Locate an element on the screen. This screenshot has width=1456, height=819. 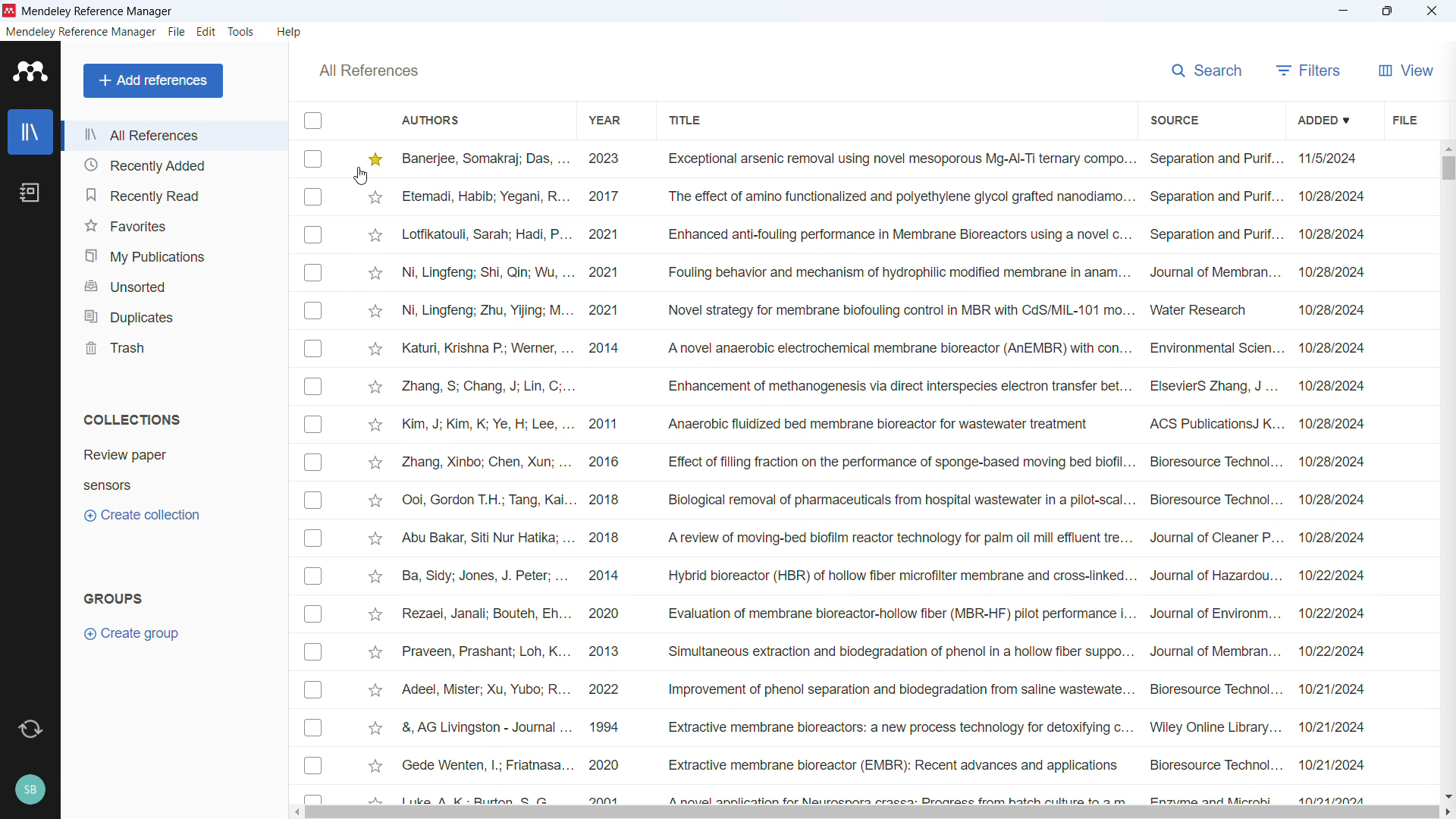
Date of entry for individual entries  is located at coordinates (1333, 475).